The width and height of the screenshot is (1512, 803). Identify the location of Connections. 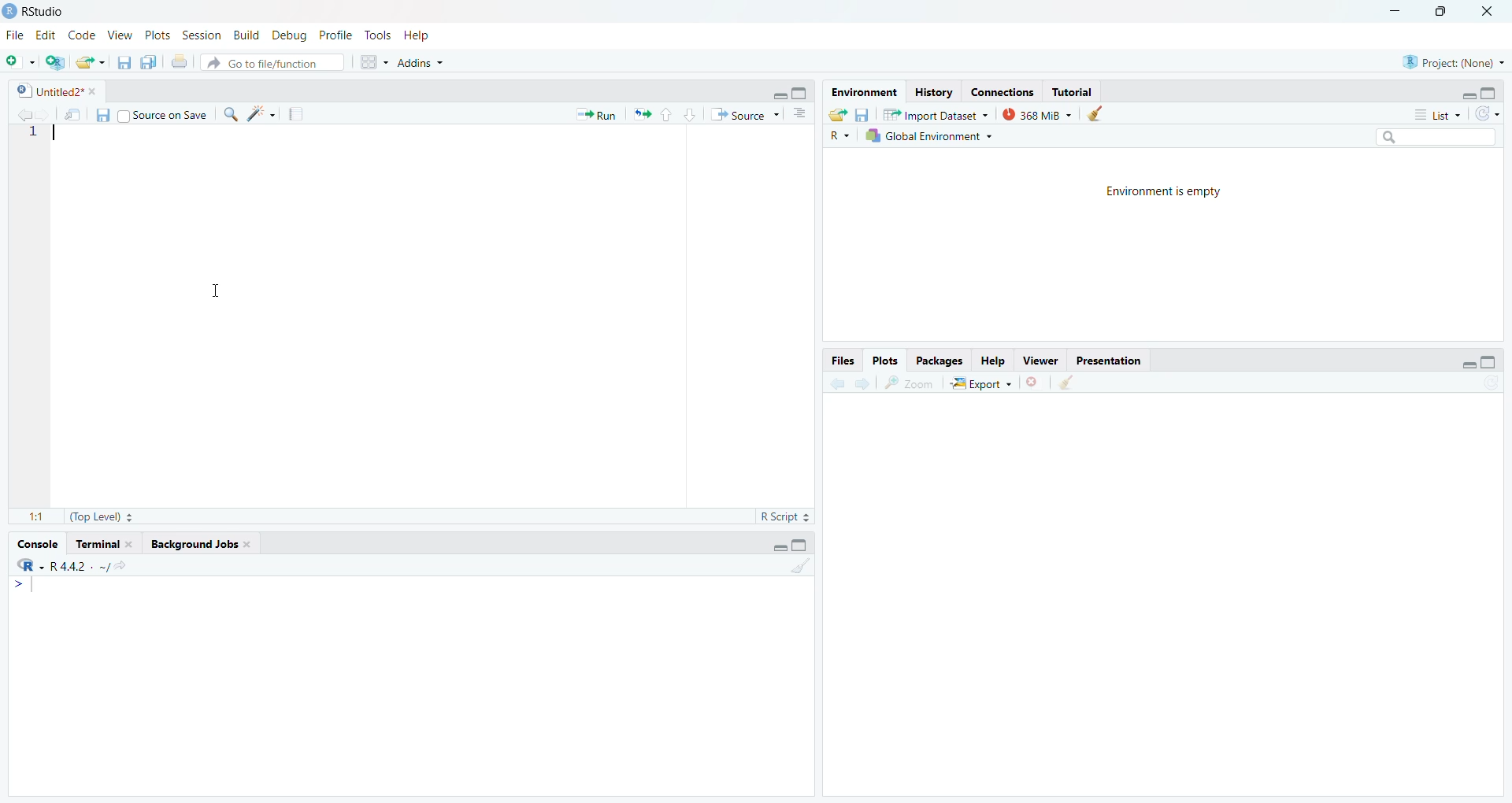
(1006, 91).